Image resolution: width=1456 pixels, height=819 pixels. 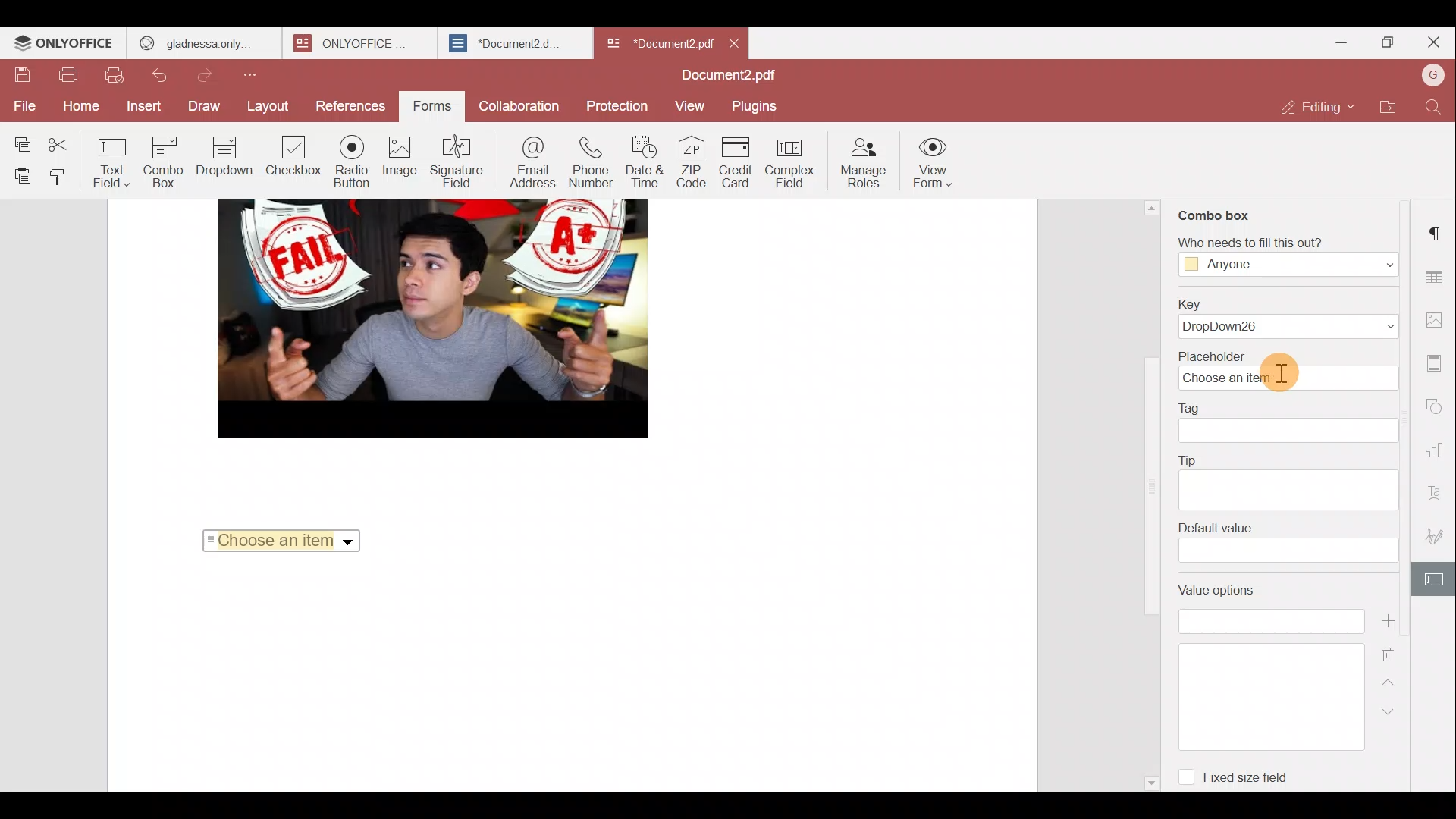 I want to click on Choose an item, so click(x=284, y=539).